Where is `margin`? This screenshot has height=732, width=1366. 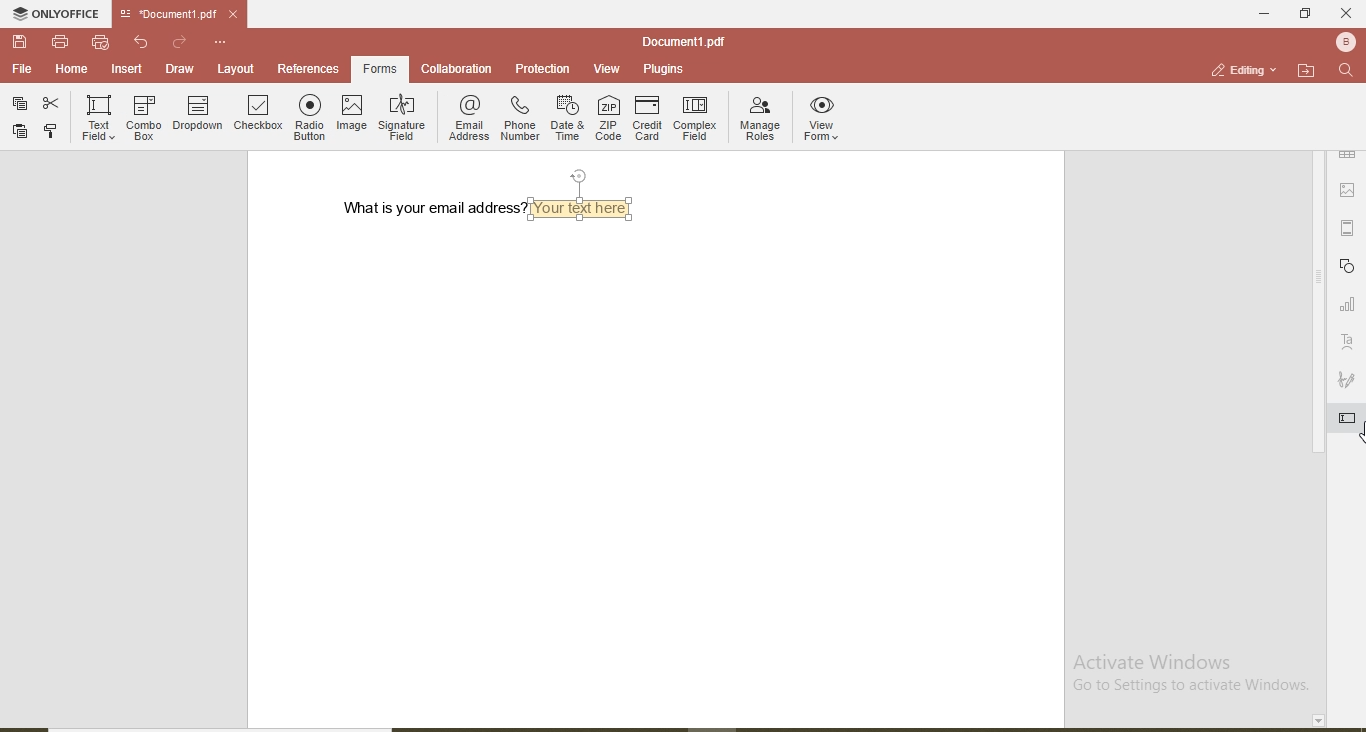
margin is located at coordinates (1347, 228).